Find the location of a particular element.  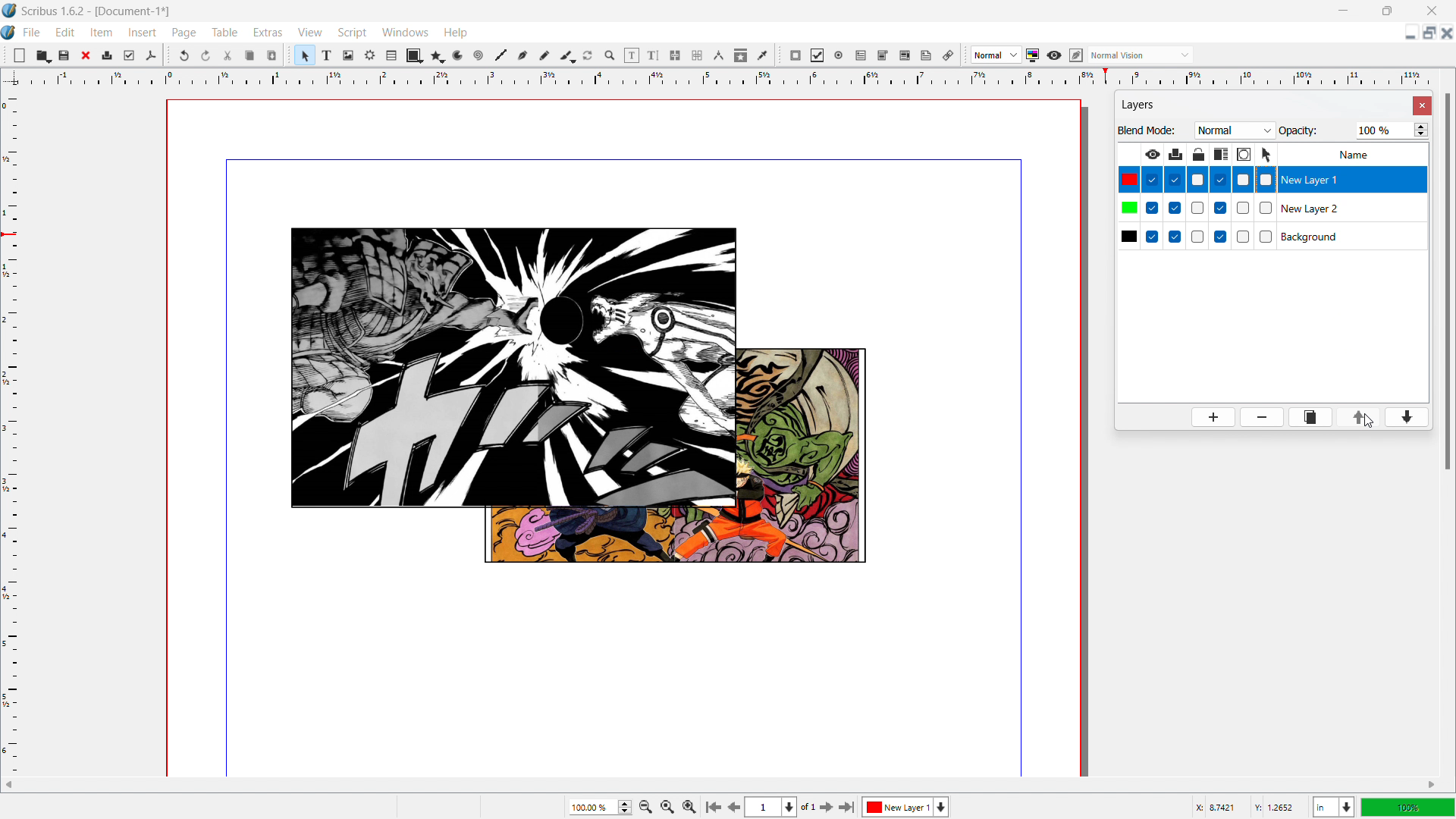

go to last page is located at coordinates (848, 807).